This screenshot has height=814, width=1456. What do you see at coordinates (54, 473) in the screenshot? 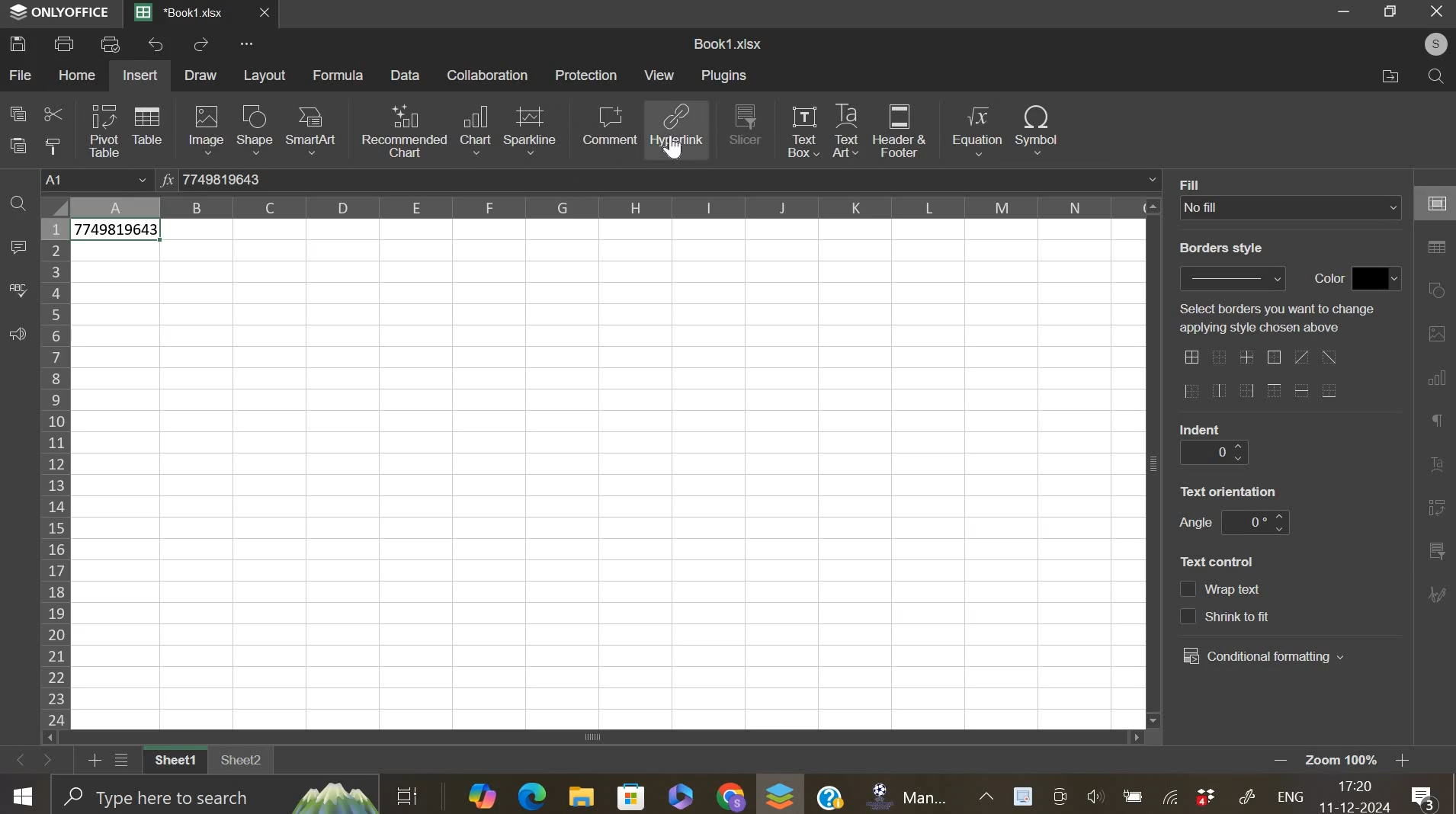
I see `row` at bounding box center [54, 473].